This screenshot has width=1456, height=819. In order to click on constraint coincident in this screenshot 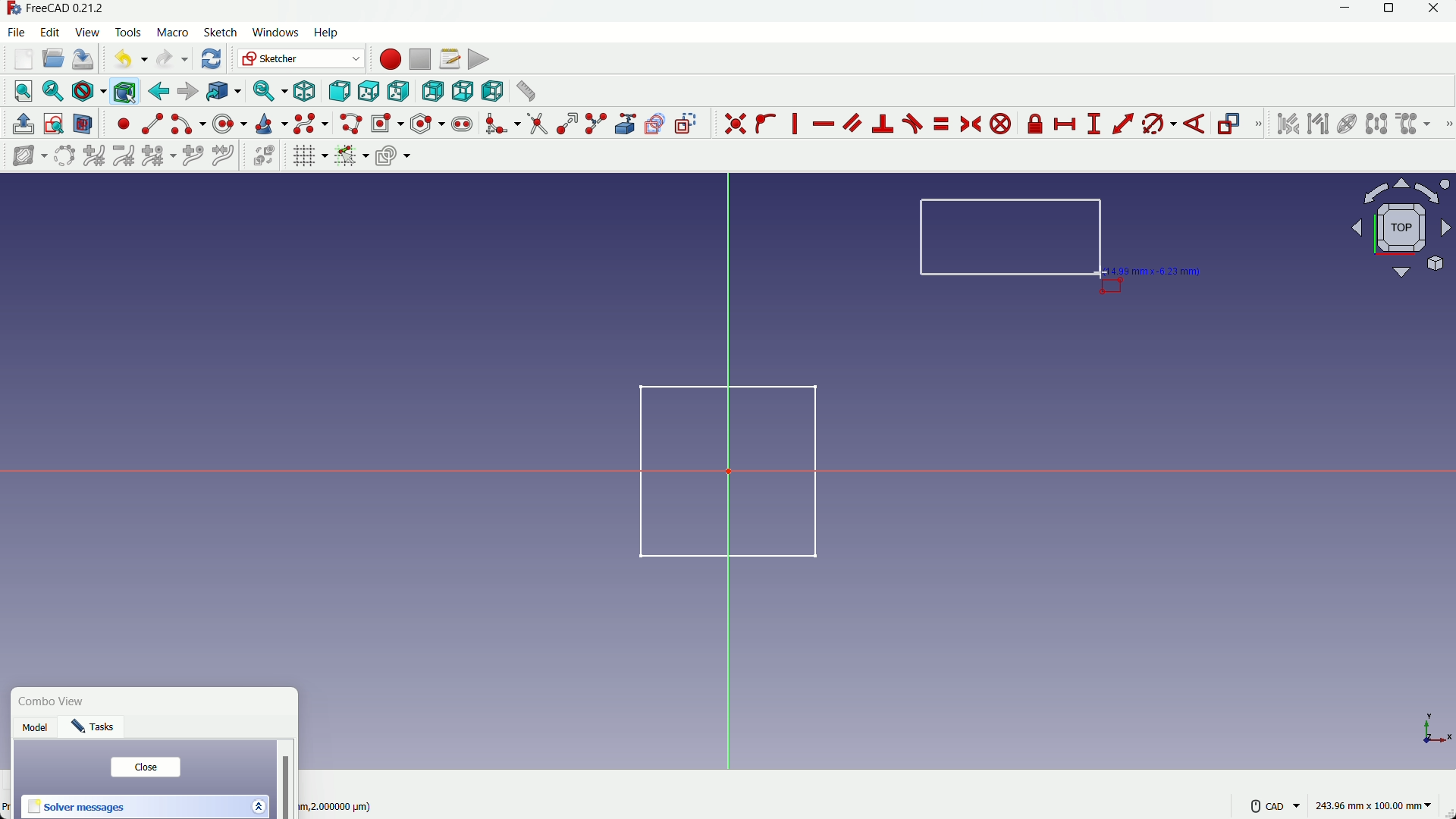, I will do `click(735, 124)`.